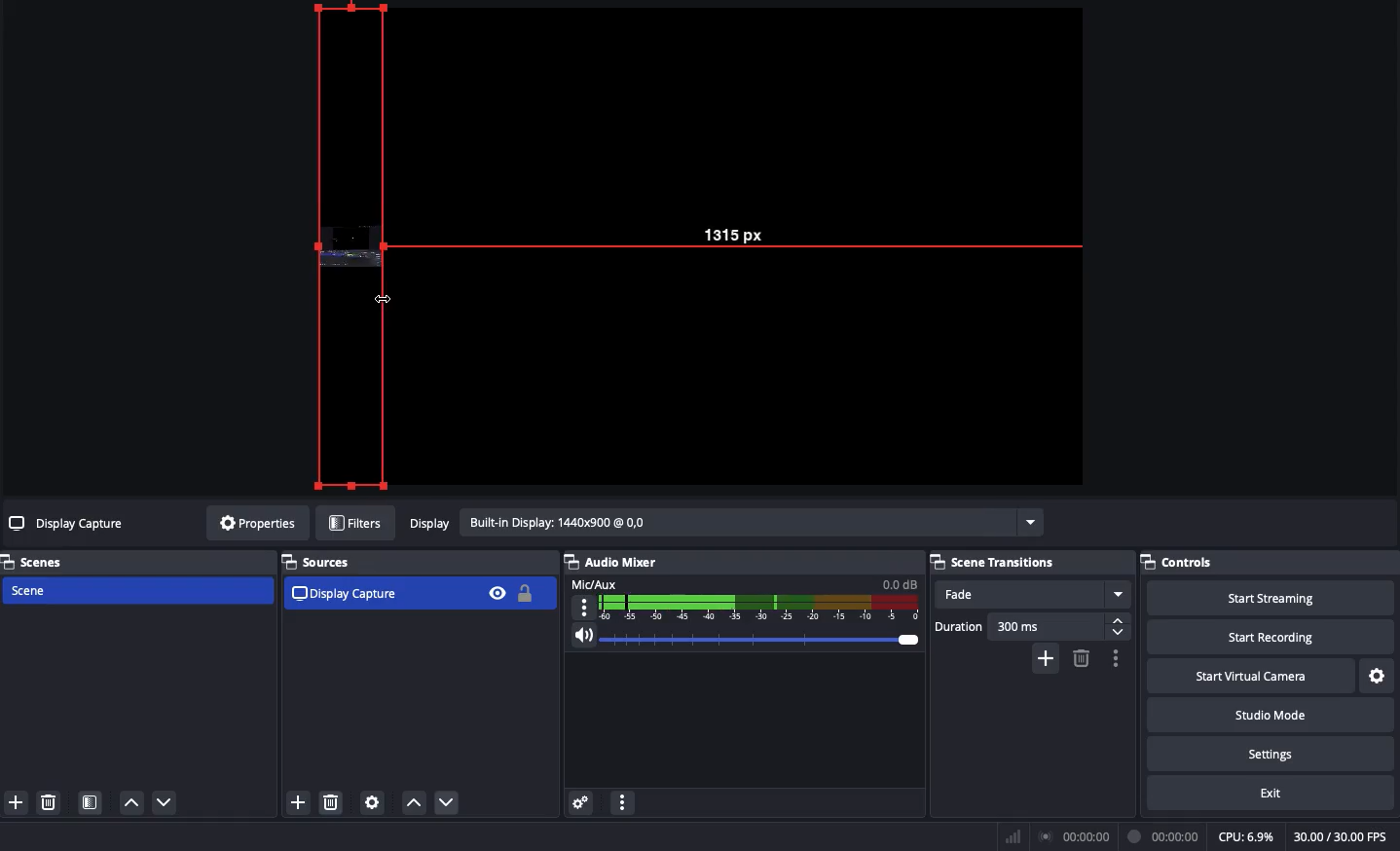 The width and height of the screenshot is (1400, 851). Describe the element at coordinates (297, 804) in the screenshot. I see `Add` at that location.